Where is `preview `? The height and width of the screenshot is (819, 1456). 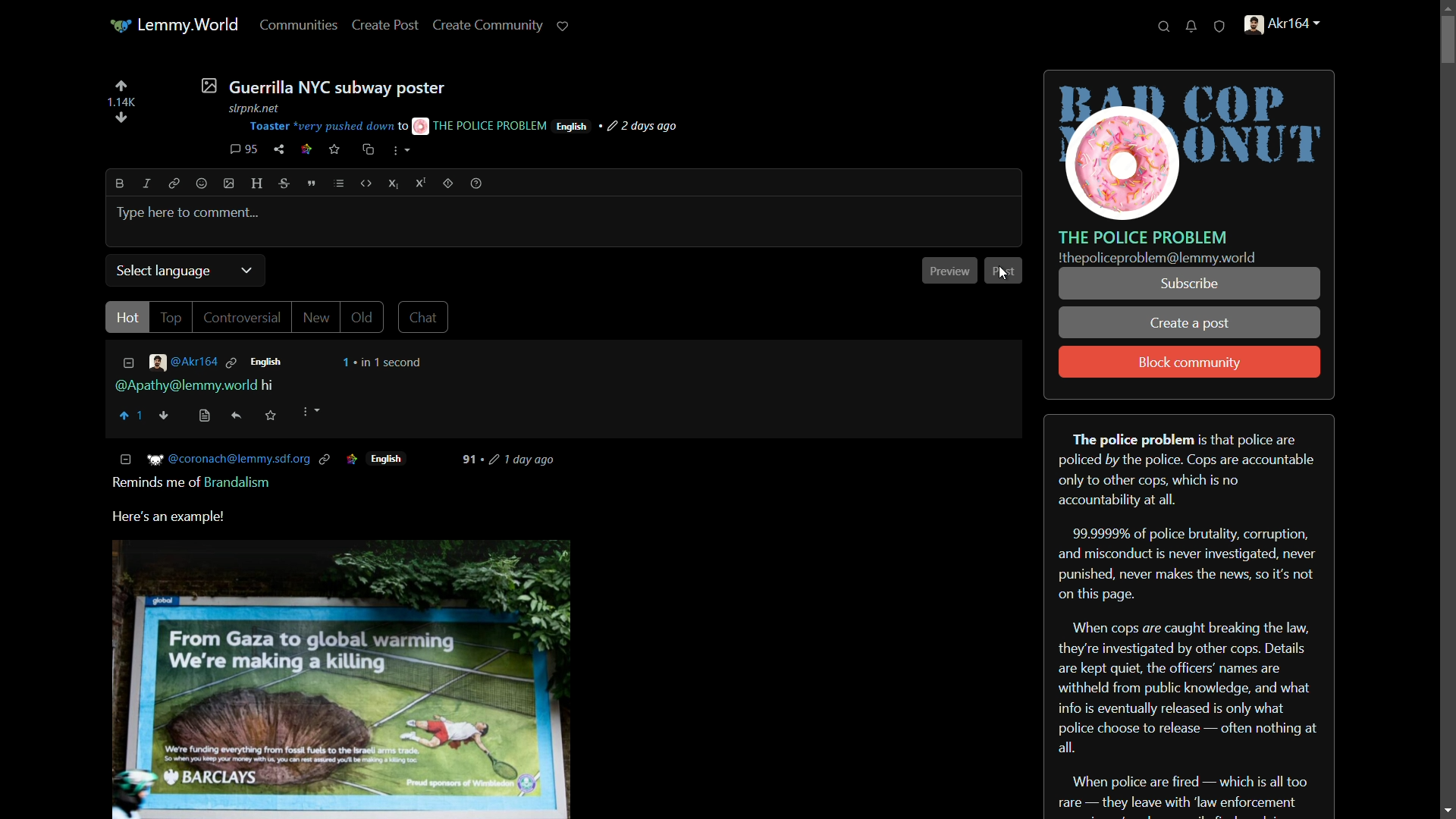
preview  is located at coordinates (949, 270).